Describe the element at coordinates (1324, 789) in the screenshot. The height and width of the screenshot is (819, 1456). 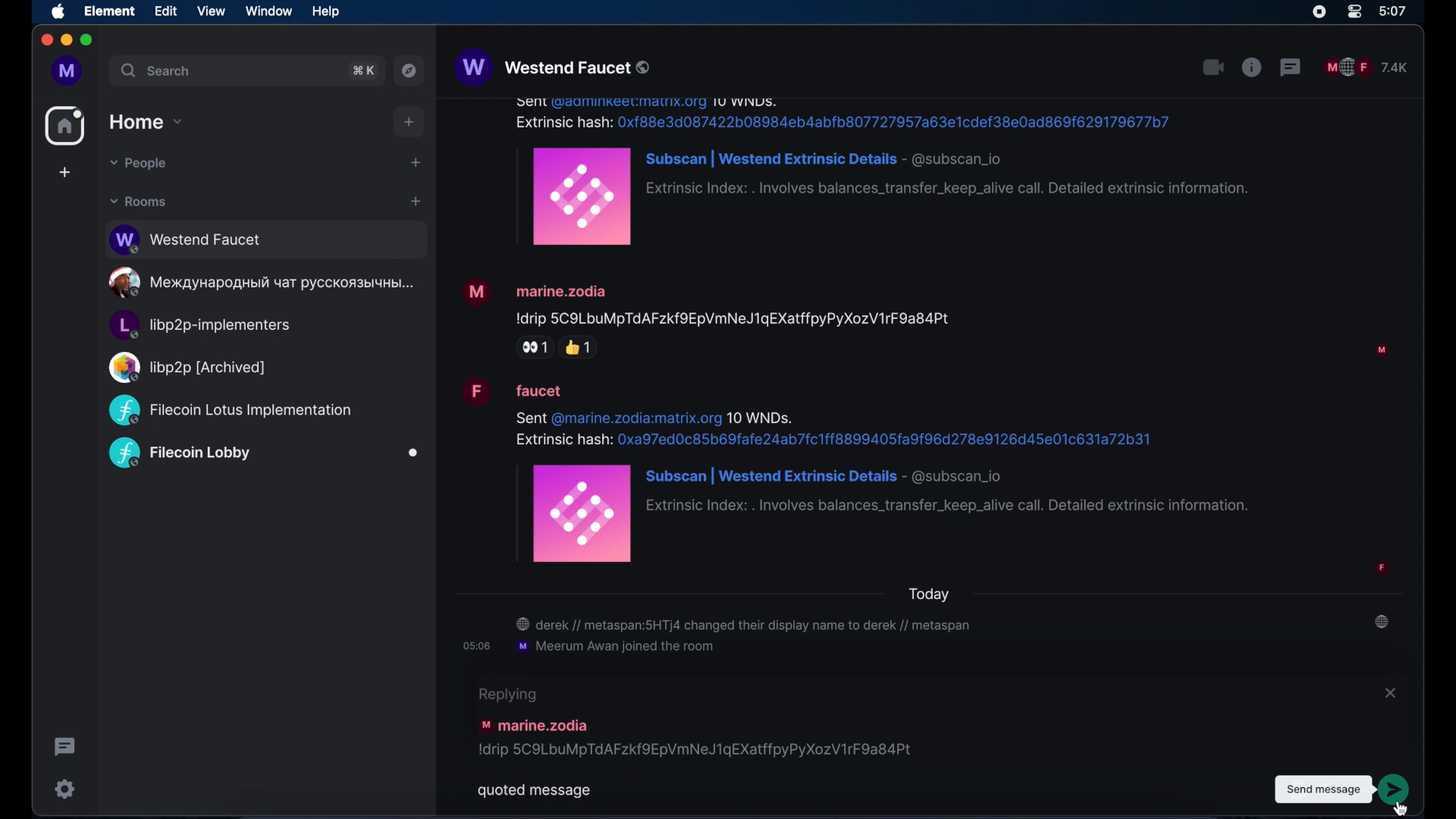
I see `tooltip` at that location.